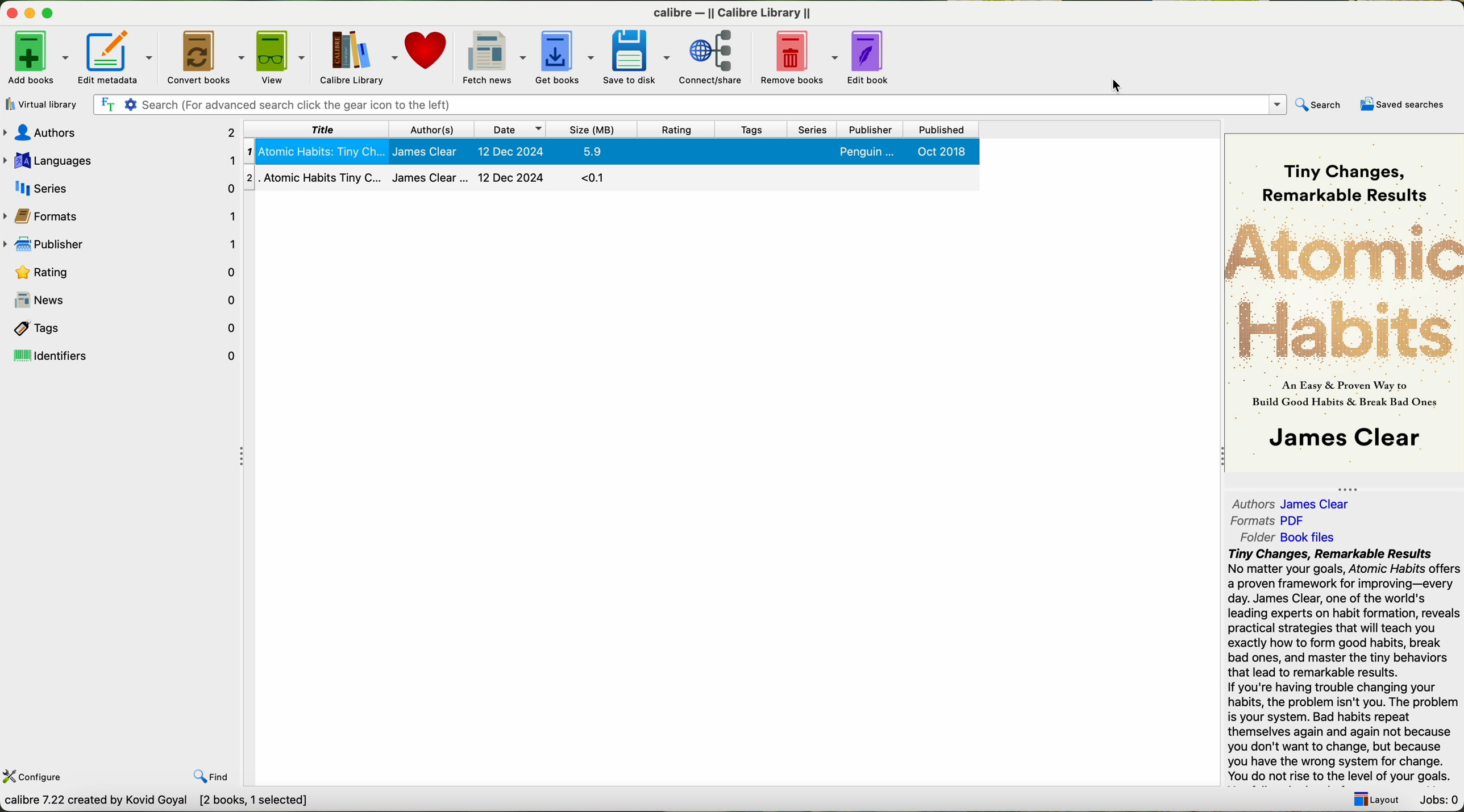 The height and width of the screenshot is (812, 1464). I want to click on fetch news, so click(491, 57).